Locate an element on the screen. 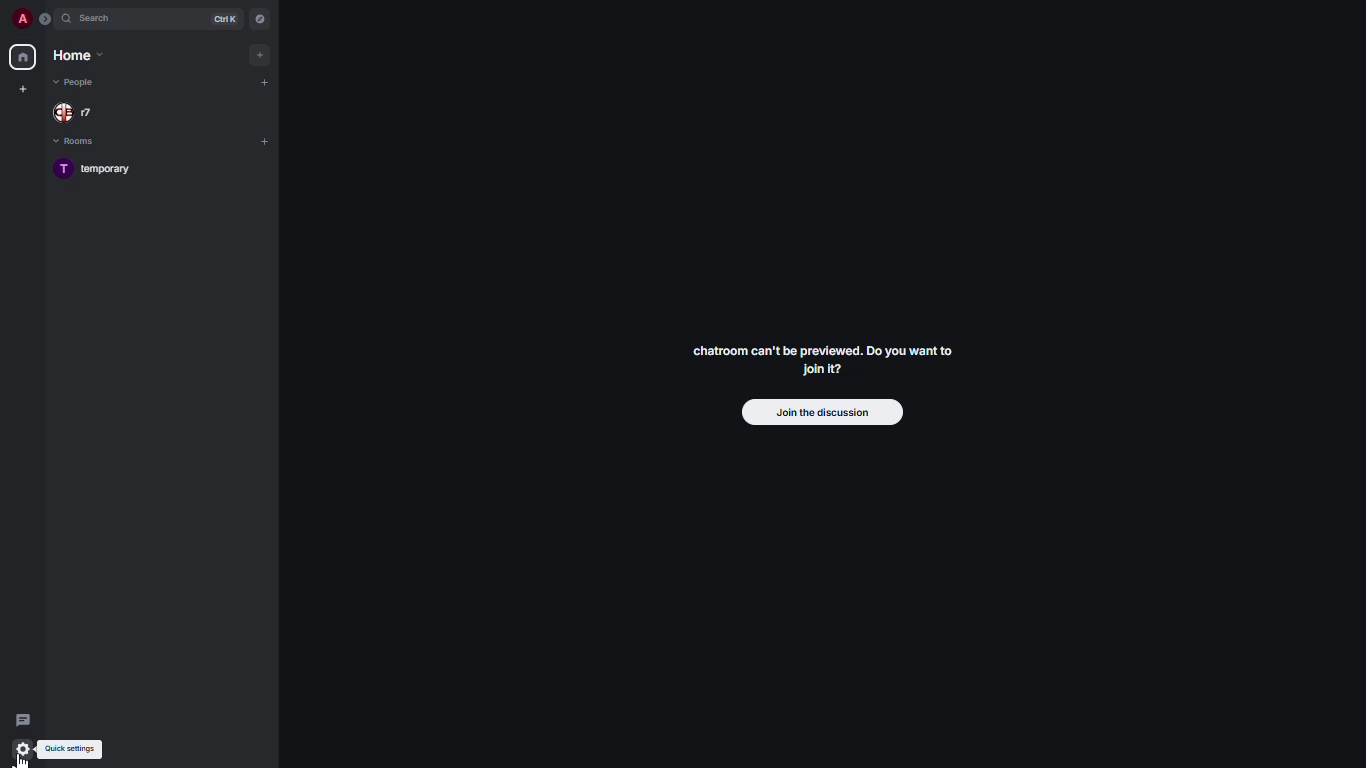 The image size is (1366, 768). join the discussion is located at coordinates (822, 411).